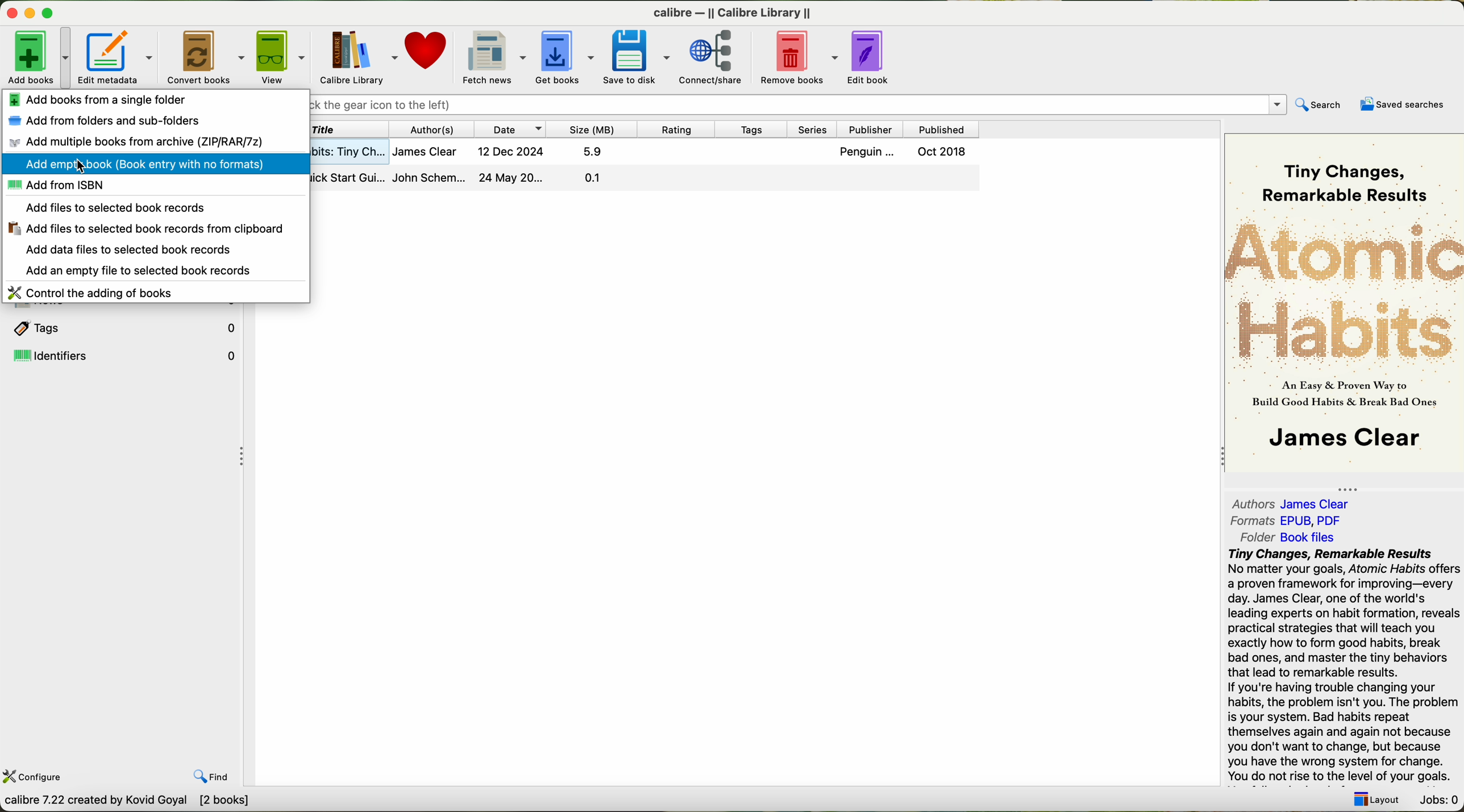  What do you see at coordinates (356, 56) in the screenshot?
I see `calibre library` at bounding box center [356, 56].